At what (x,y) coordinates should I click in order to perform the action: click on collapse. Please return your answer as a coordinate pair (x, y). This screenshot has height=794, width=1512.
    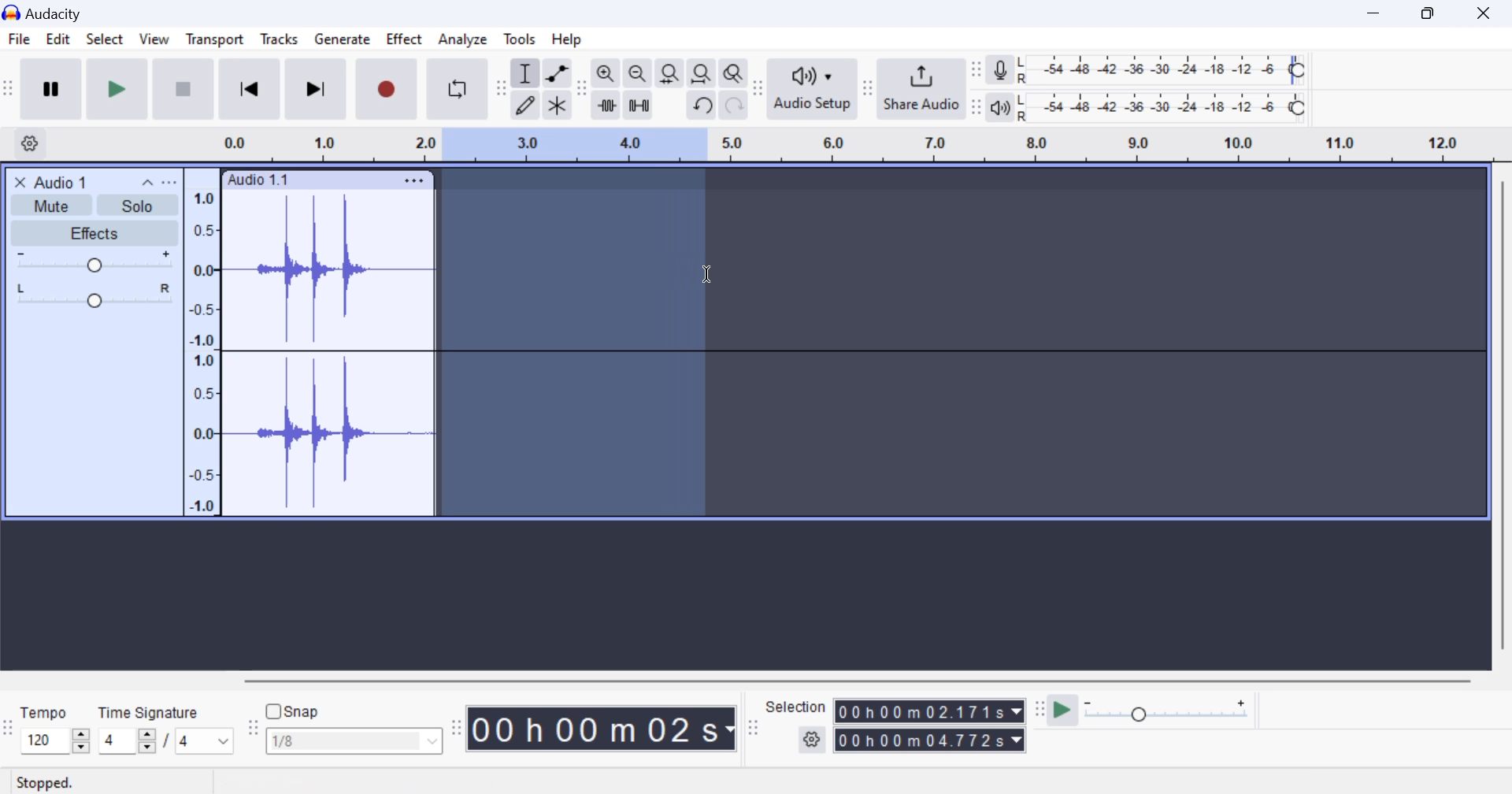
    Looking at the image, I should click on (146, 181).